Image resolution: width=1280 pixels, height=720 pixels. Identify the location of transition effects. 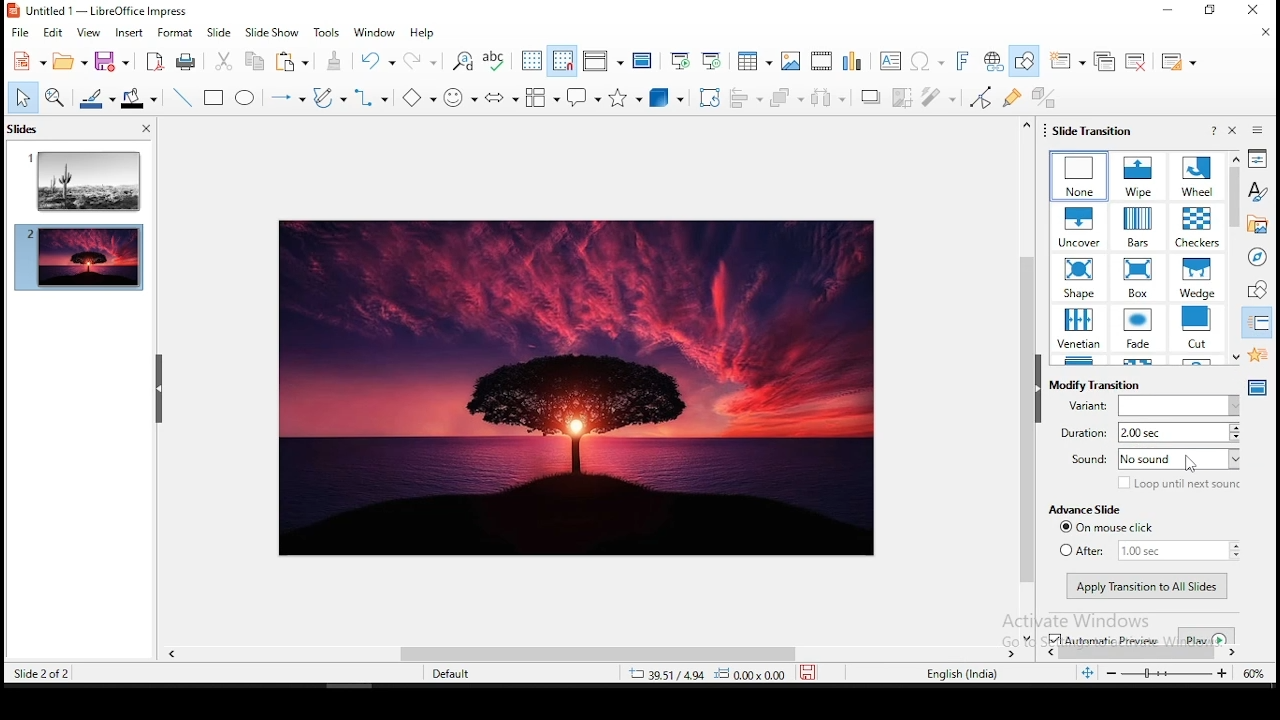
(1138, 277).